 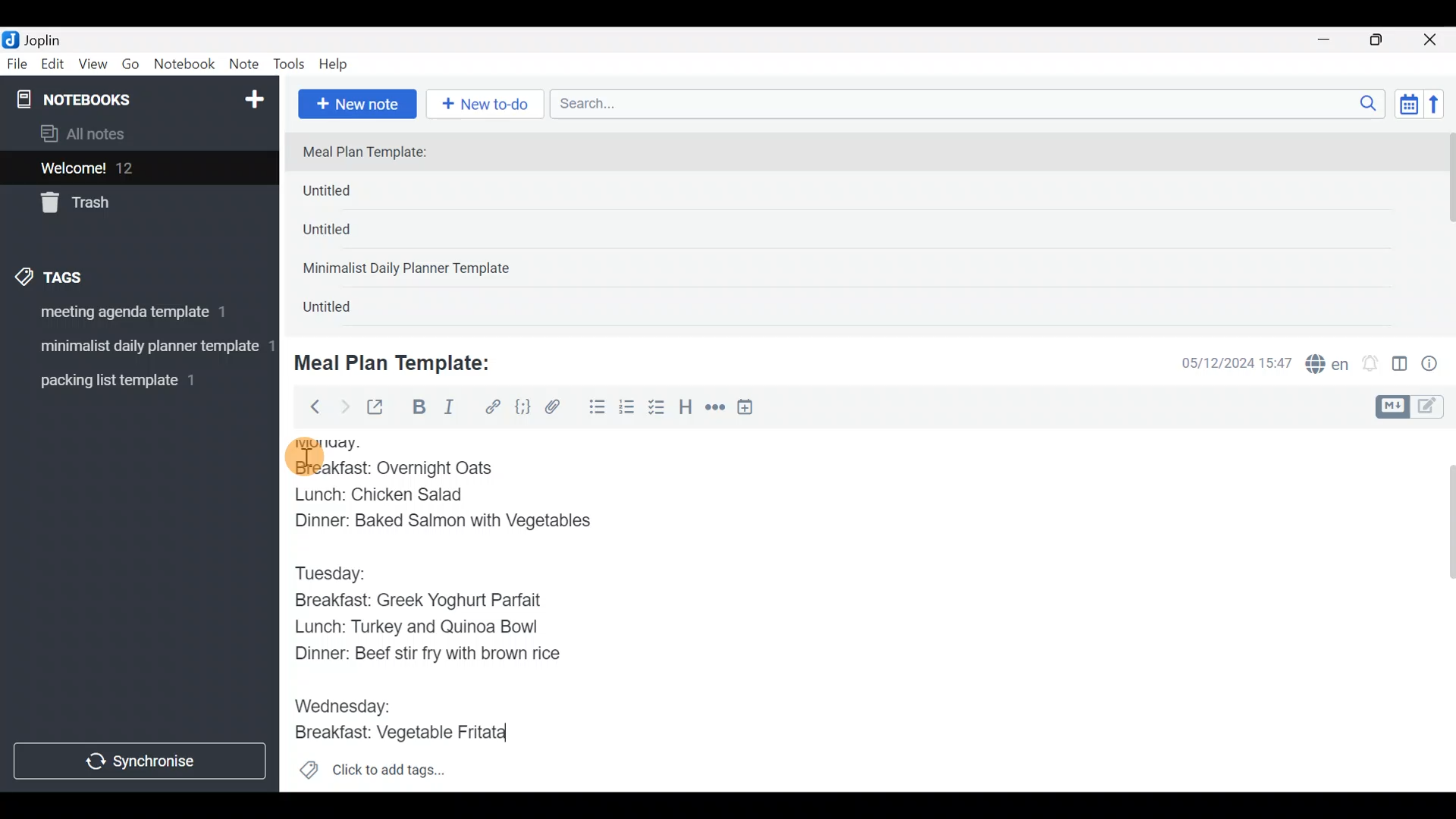 What do you see at coordinates (374, 153) in the screenshot?
I see `Meal Plan Template:` at bounding box center [374, 153].